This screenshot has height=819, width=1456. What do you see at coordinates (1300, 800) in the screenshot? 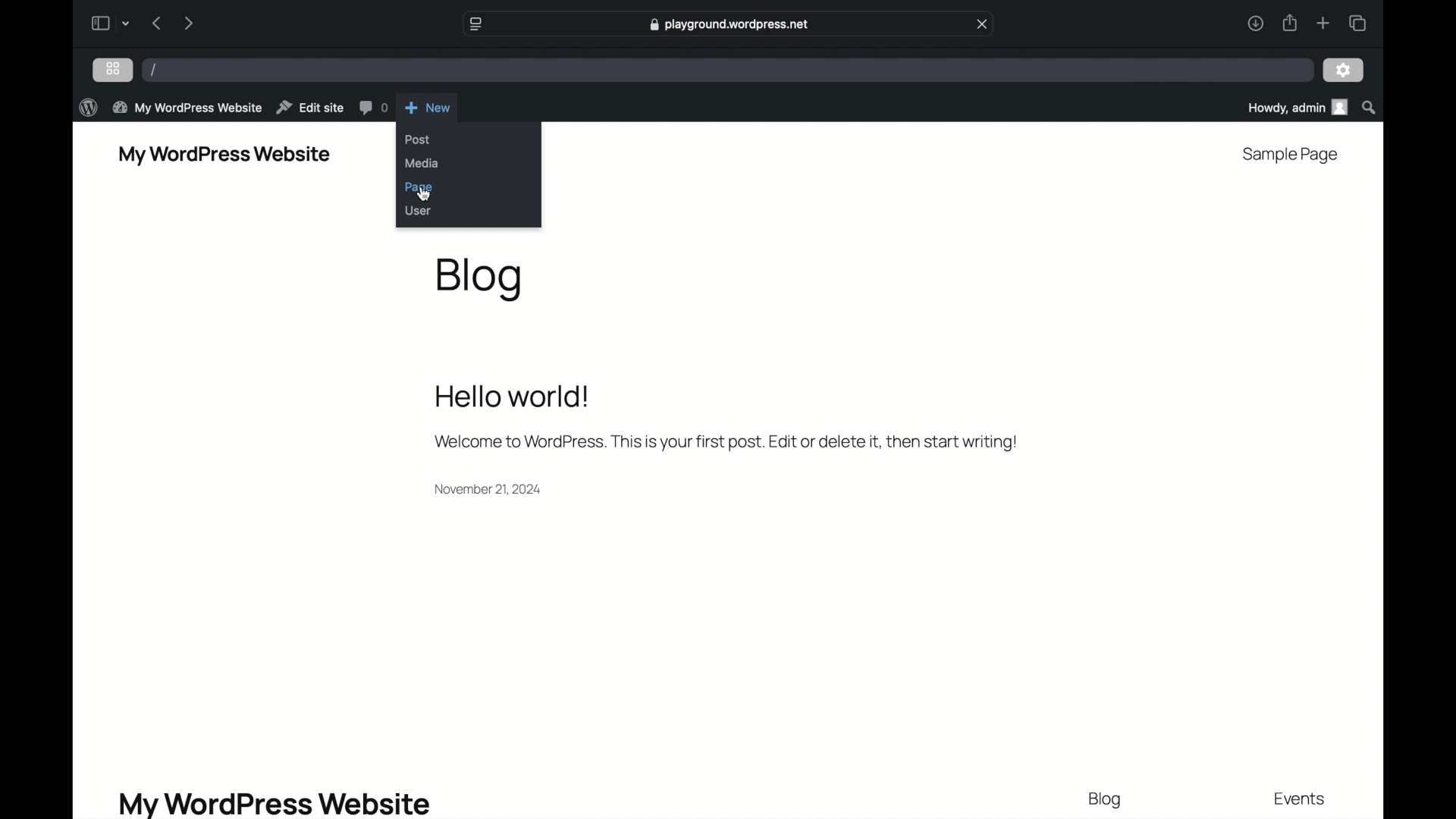
I see `events` at bounding box center [1300, 800].